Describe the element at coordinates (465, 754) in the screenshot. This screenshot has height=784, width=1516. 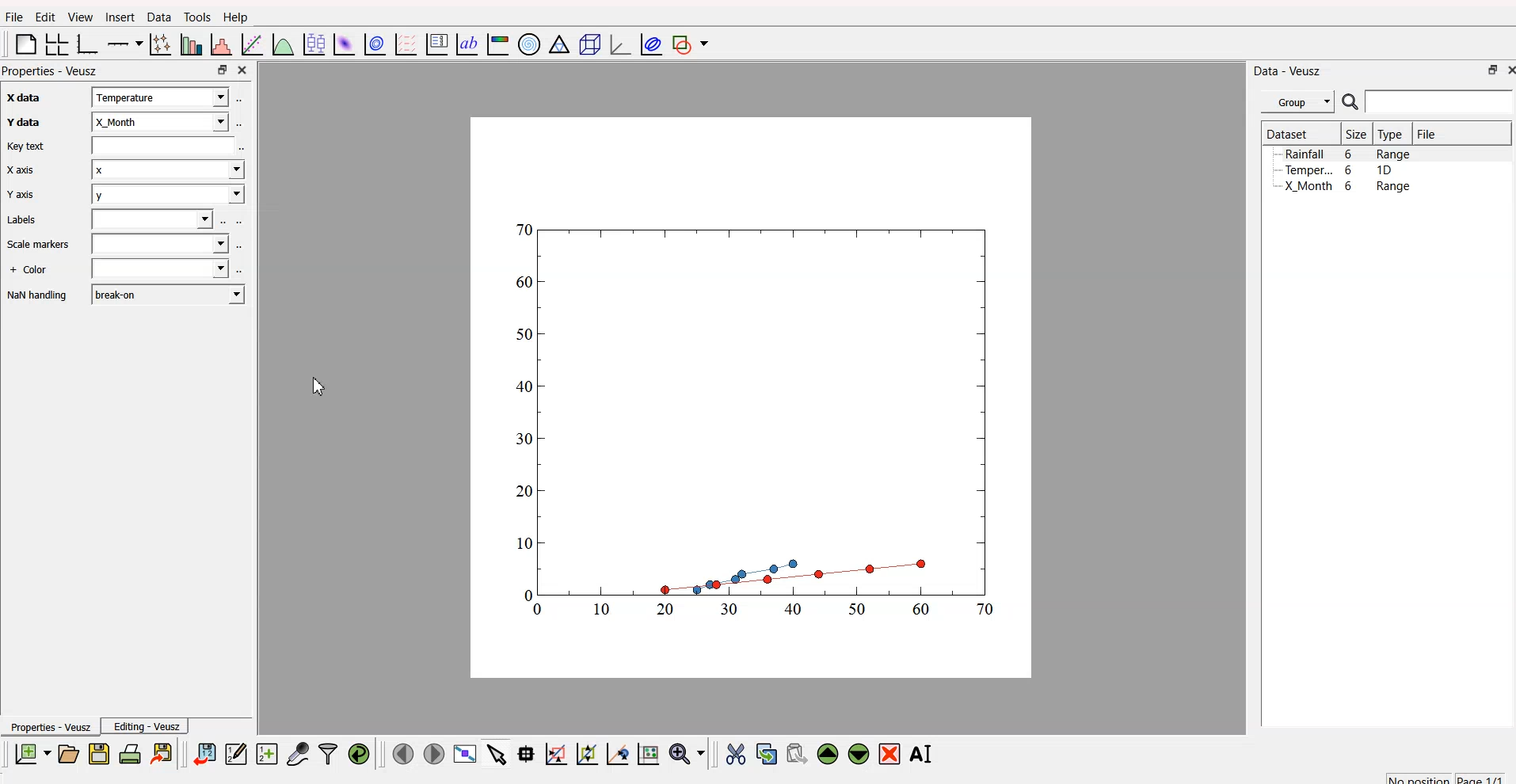
I see `view plot full screen` at that location.